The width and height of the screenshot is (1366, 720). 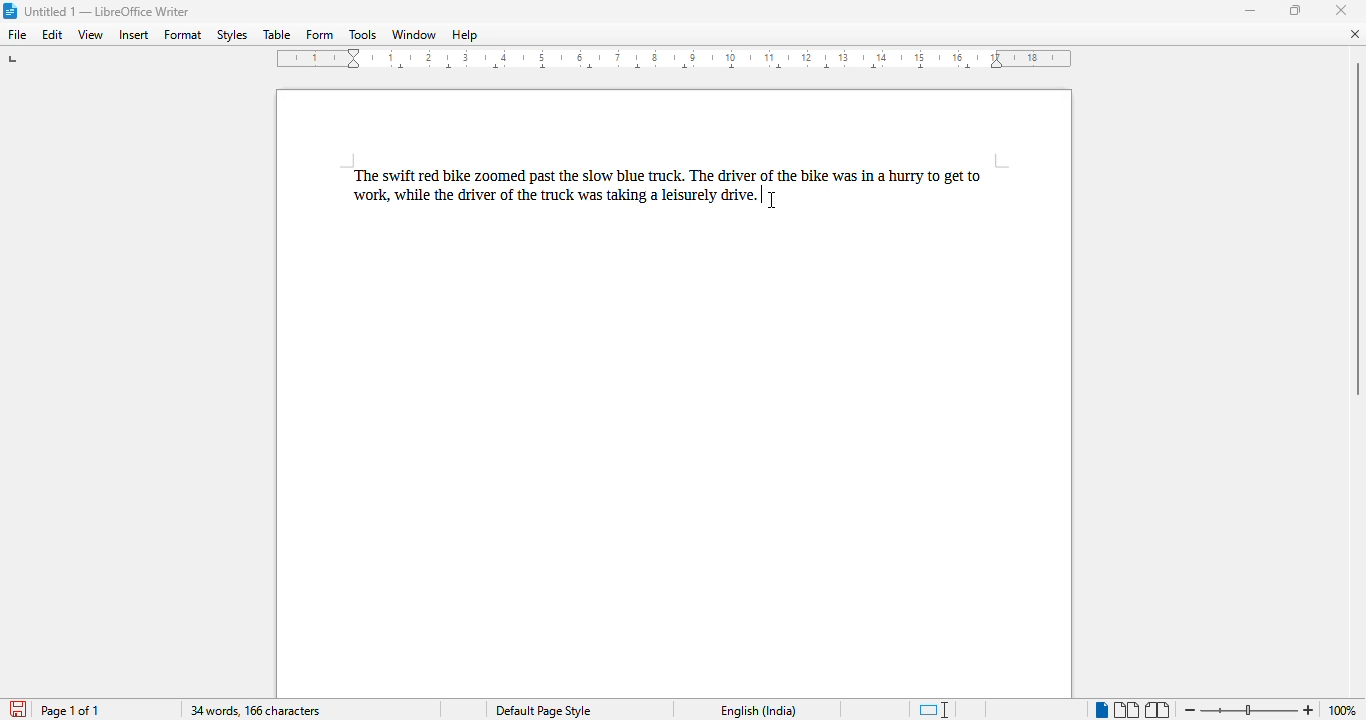 What do you see at coordinates (9, 10) in the screenshot?
I see `LibreOffice logo` at bounding box center [9, 10].